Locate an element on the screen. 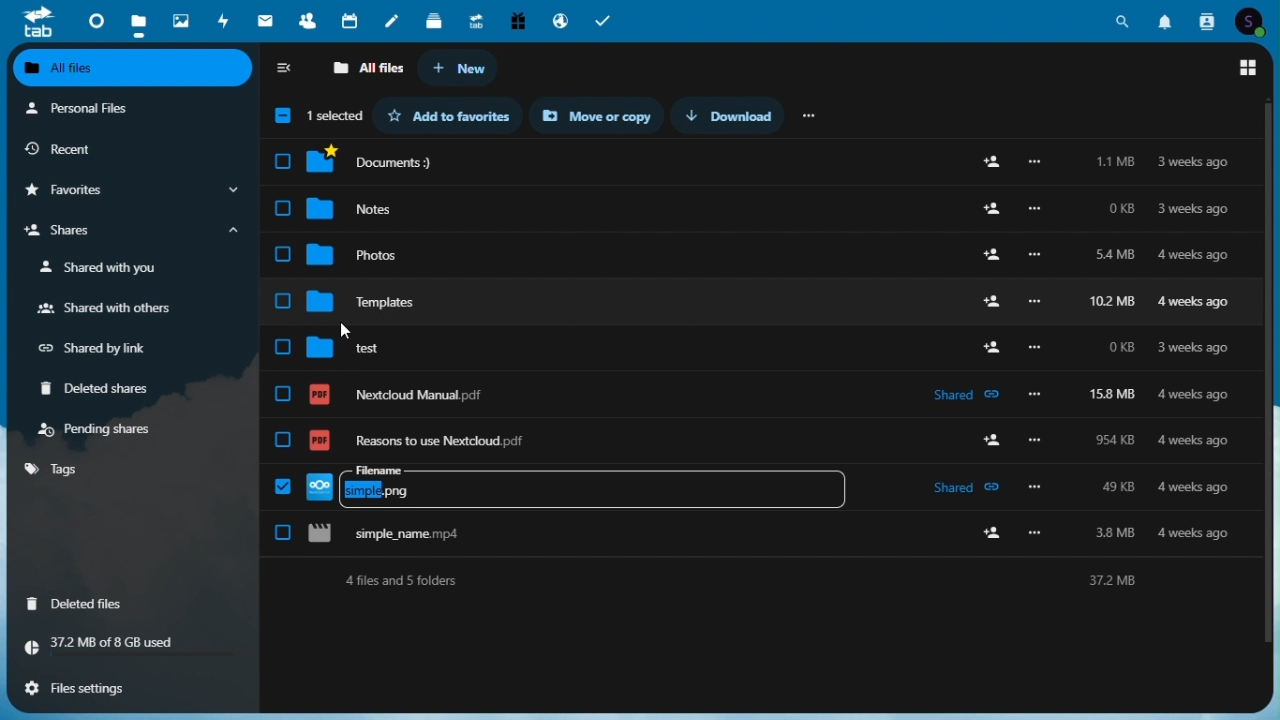 The width and height of the screenshot is (1280, 720). notes is located at coordinates (395, 17).